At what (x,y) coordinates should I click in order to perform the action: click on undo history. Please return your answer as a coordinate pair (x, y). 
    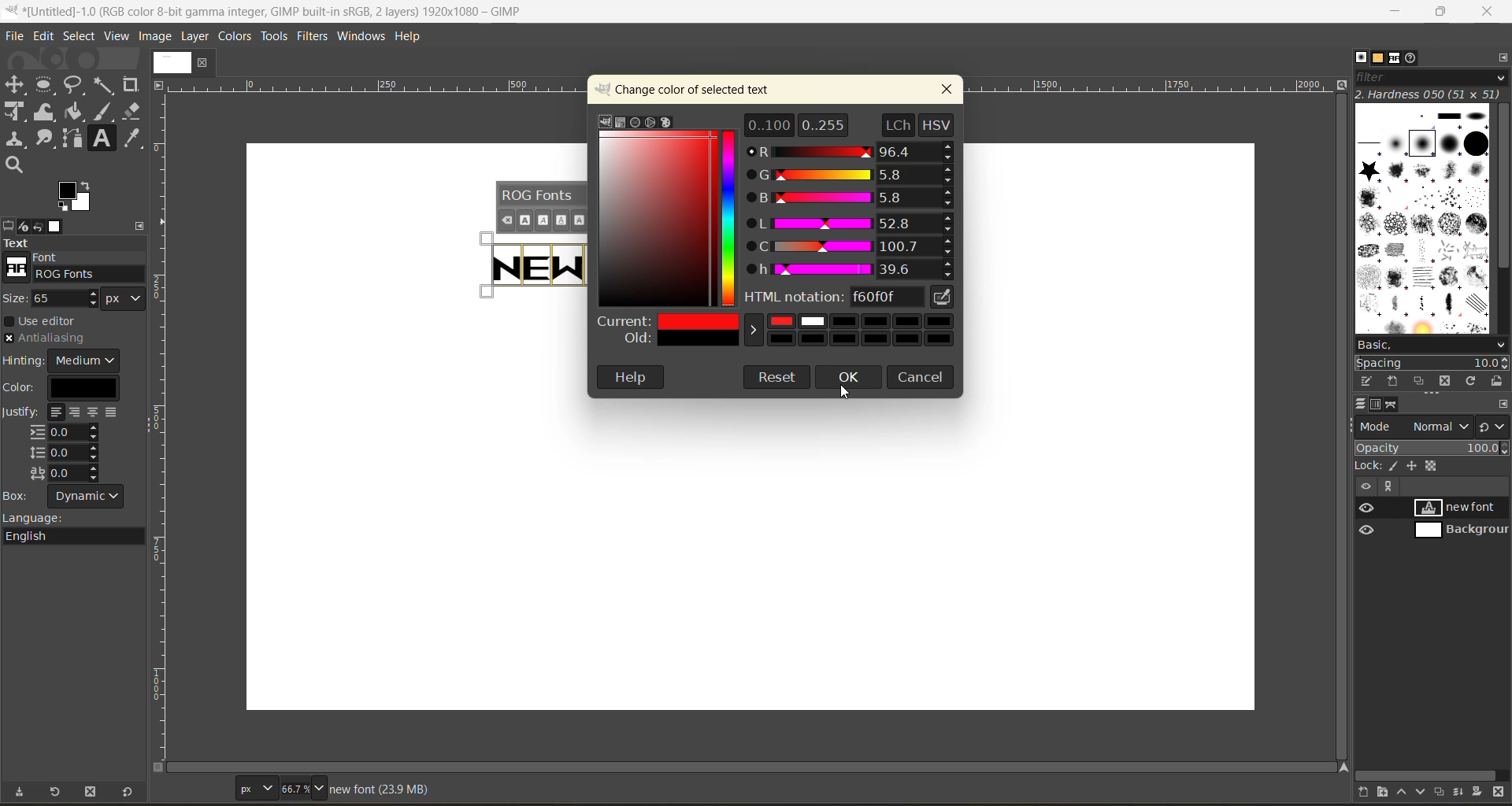
    Looking at the image, I should click on (36, 224).